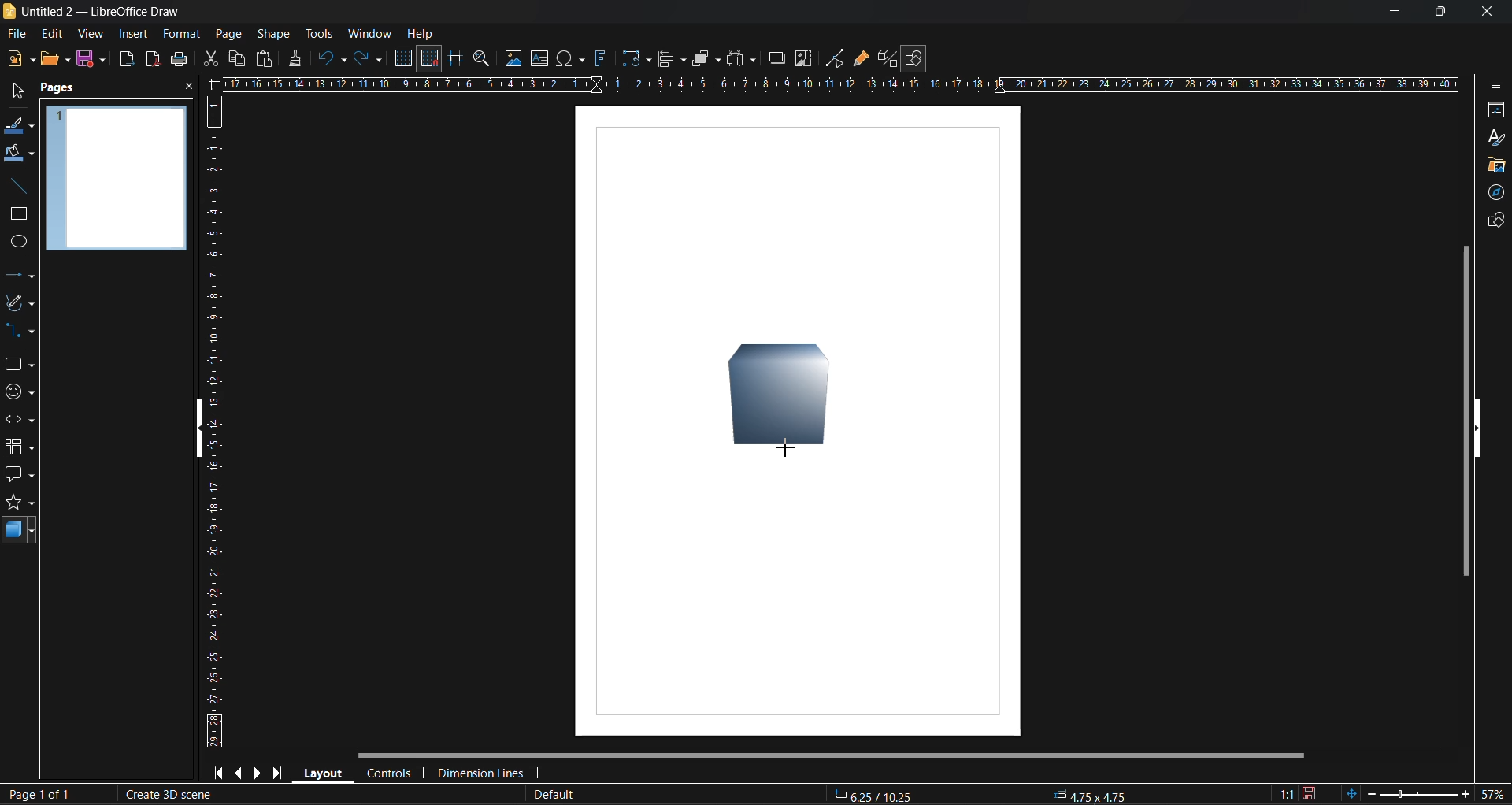  I want to click on symbols, so click(17, 391).